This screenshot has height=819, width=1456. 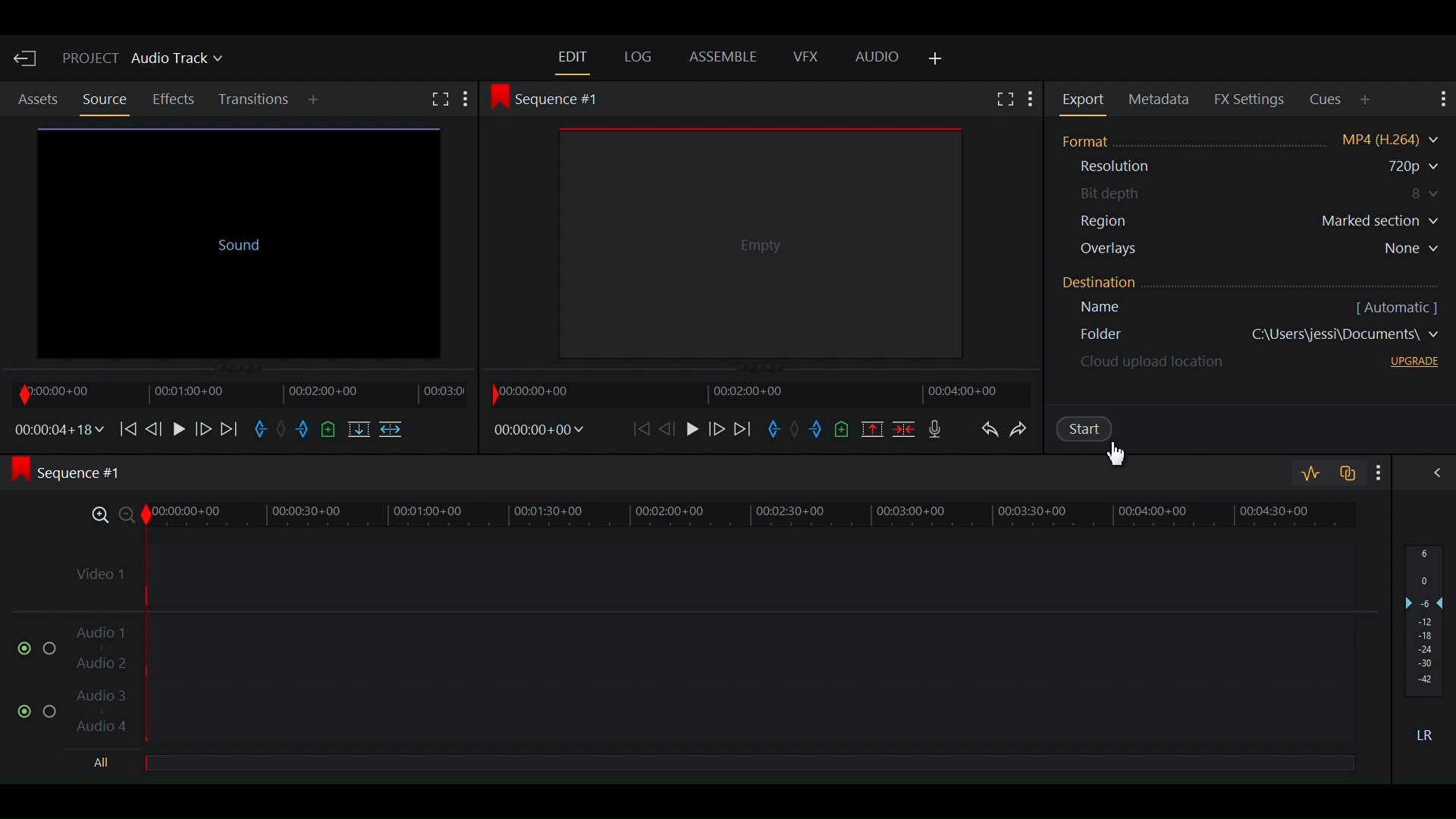 What do you see at coordinates (1132, 168) in the screenshot?
I see `Resolution` at bounding box center [1132, 168].